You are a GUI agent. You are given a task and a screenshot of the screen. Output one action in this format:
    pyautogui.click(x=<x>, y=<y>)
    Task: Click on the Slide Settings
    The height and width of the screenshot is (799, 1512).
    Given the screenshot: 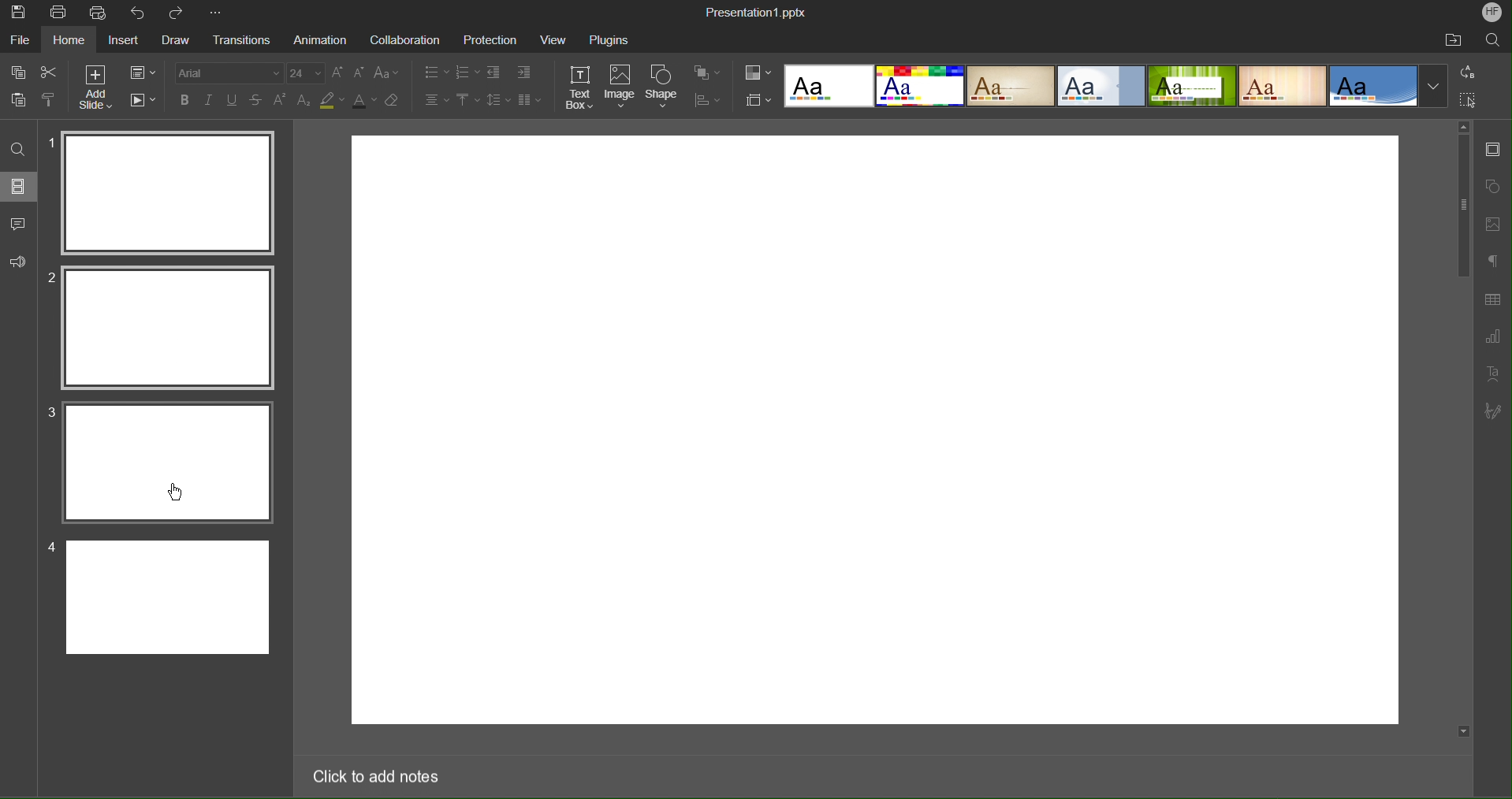 What is the action you would take?
    pyautogui.click(x=141, y=70)
    